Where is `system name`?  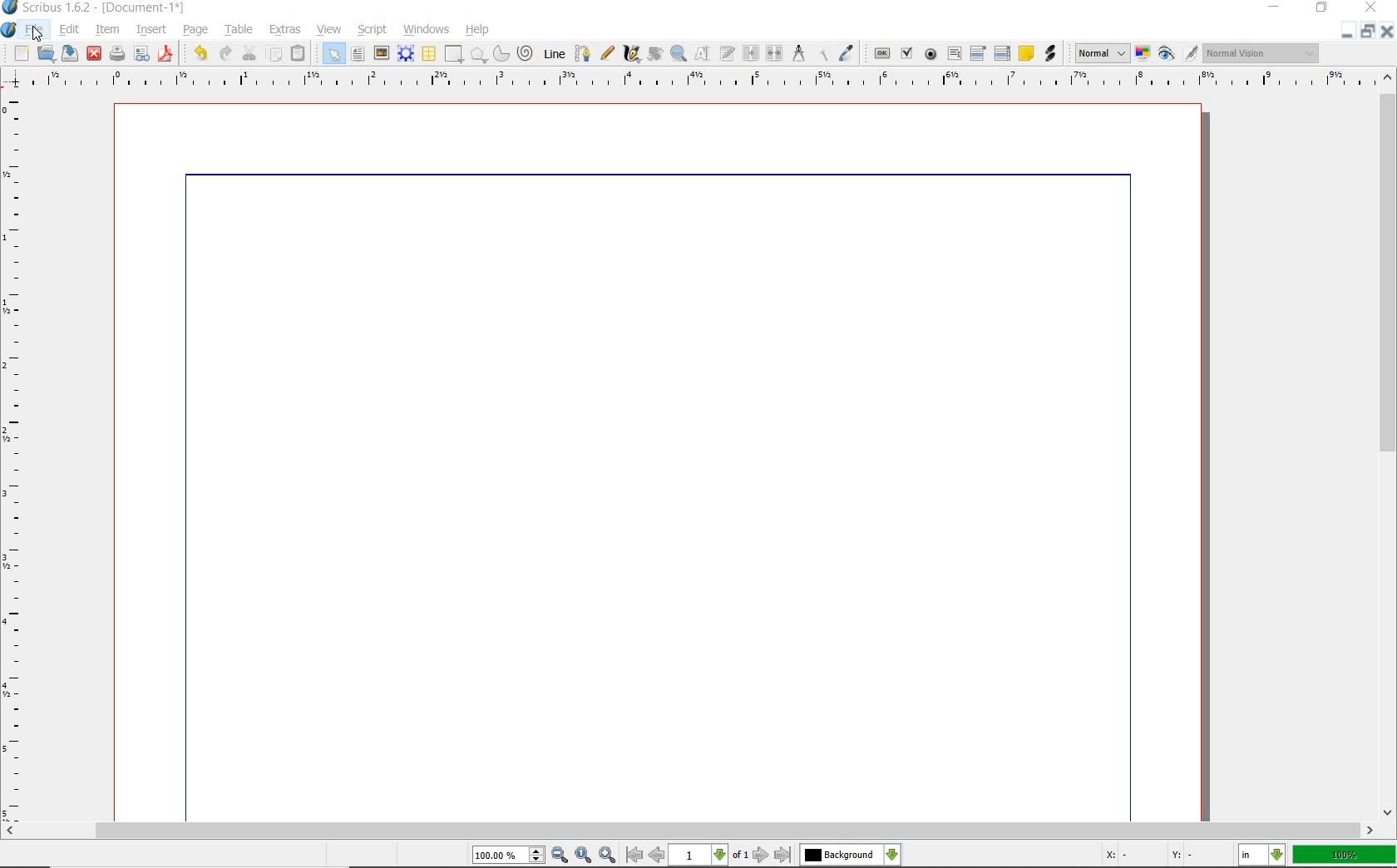
system name is located at coordinates (94, 8).